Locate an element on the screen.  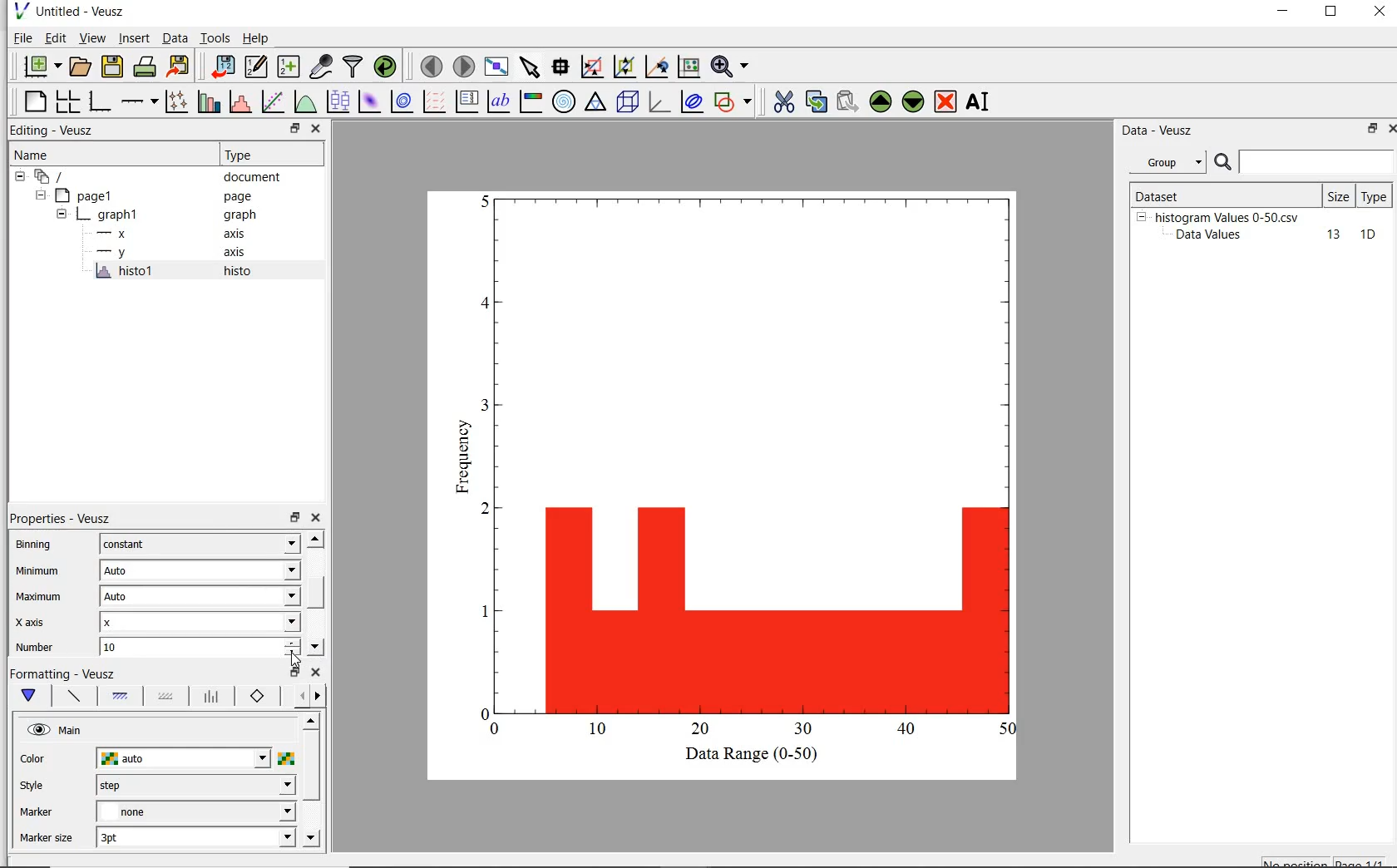
name is located at coordinates (30, 155).